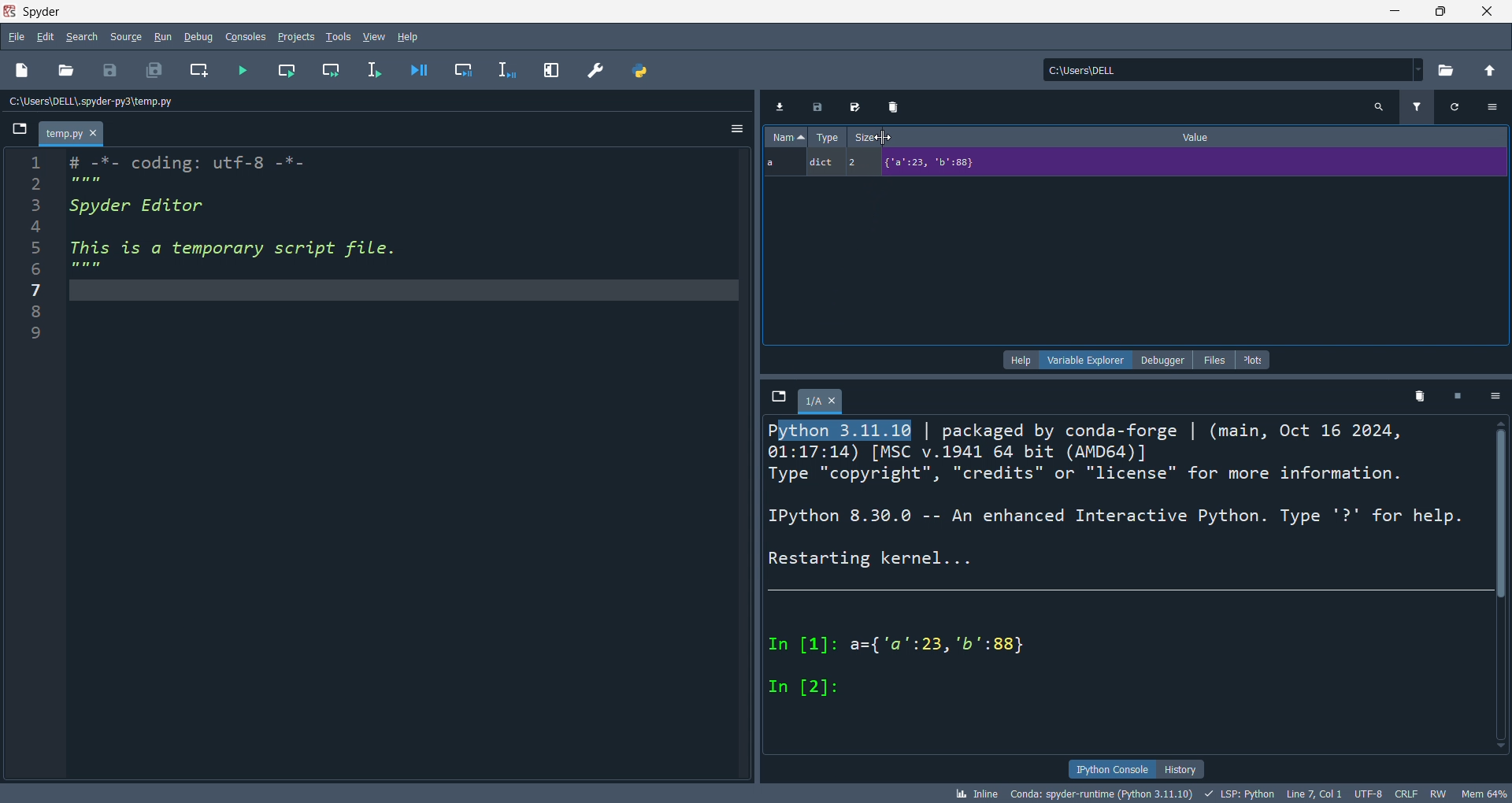 Image resolution: width=1512 pixels, height=803 pixels. Describe the element at coordinates (548, 68) in the screenshot. I see `expand pane` at that location.